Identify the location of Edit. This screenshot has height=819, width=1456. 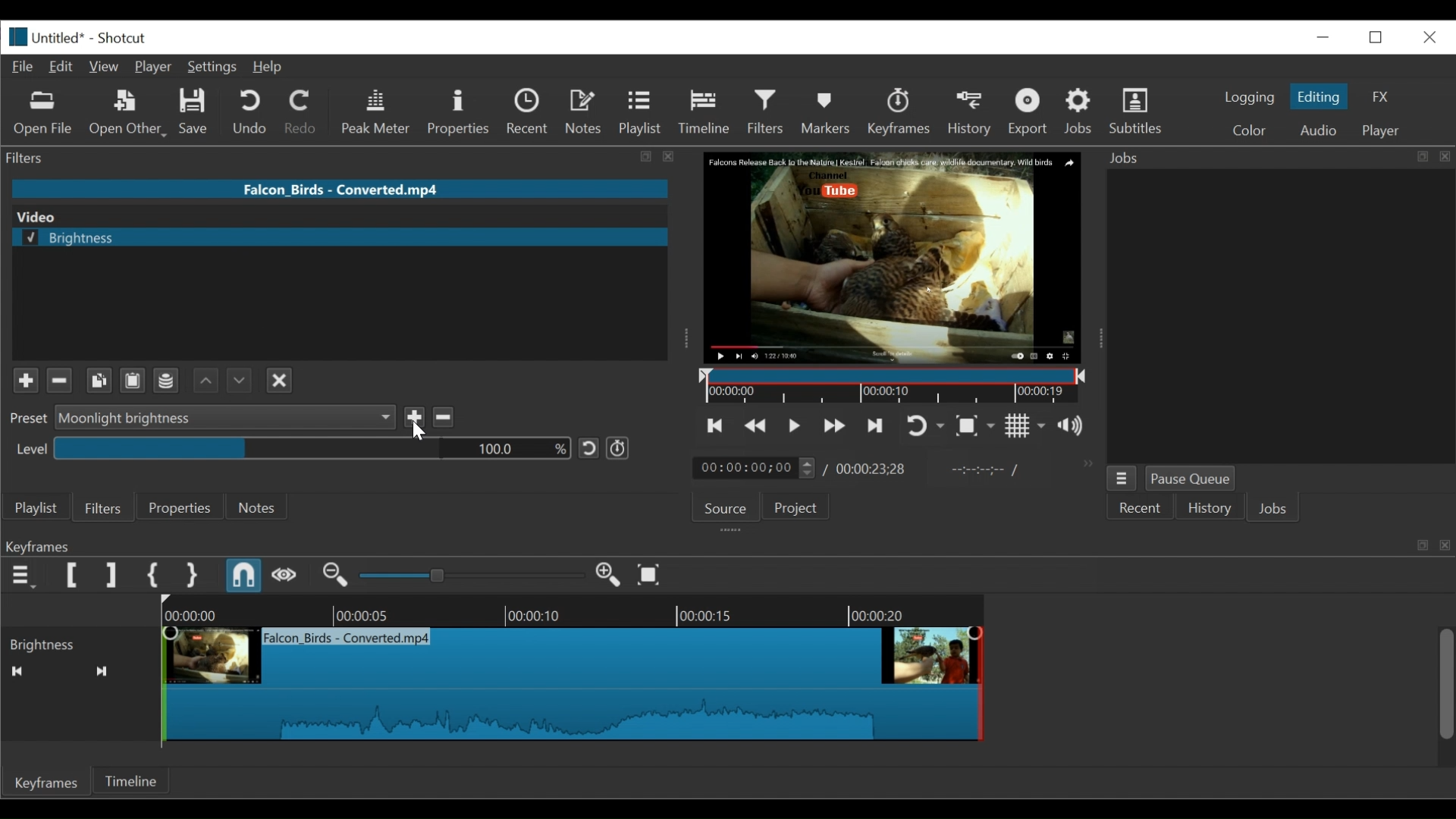
(61, 67).